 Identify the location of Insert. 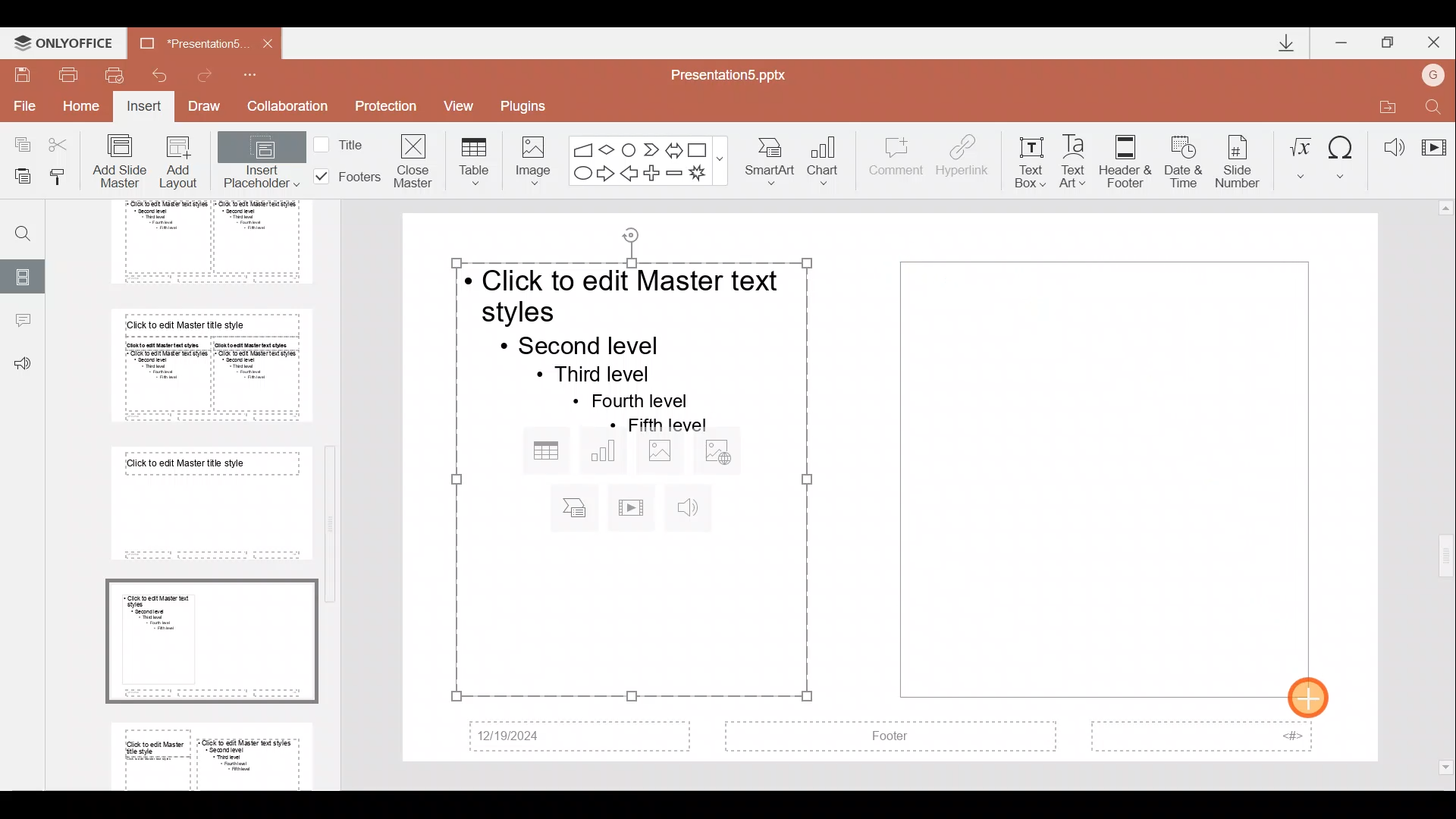
(145, 108).